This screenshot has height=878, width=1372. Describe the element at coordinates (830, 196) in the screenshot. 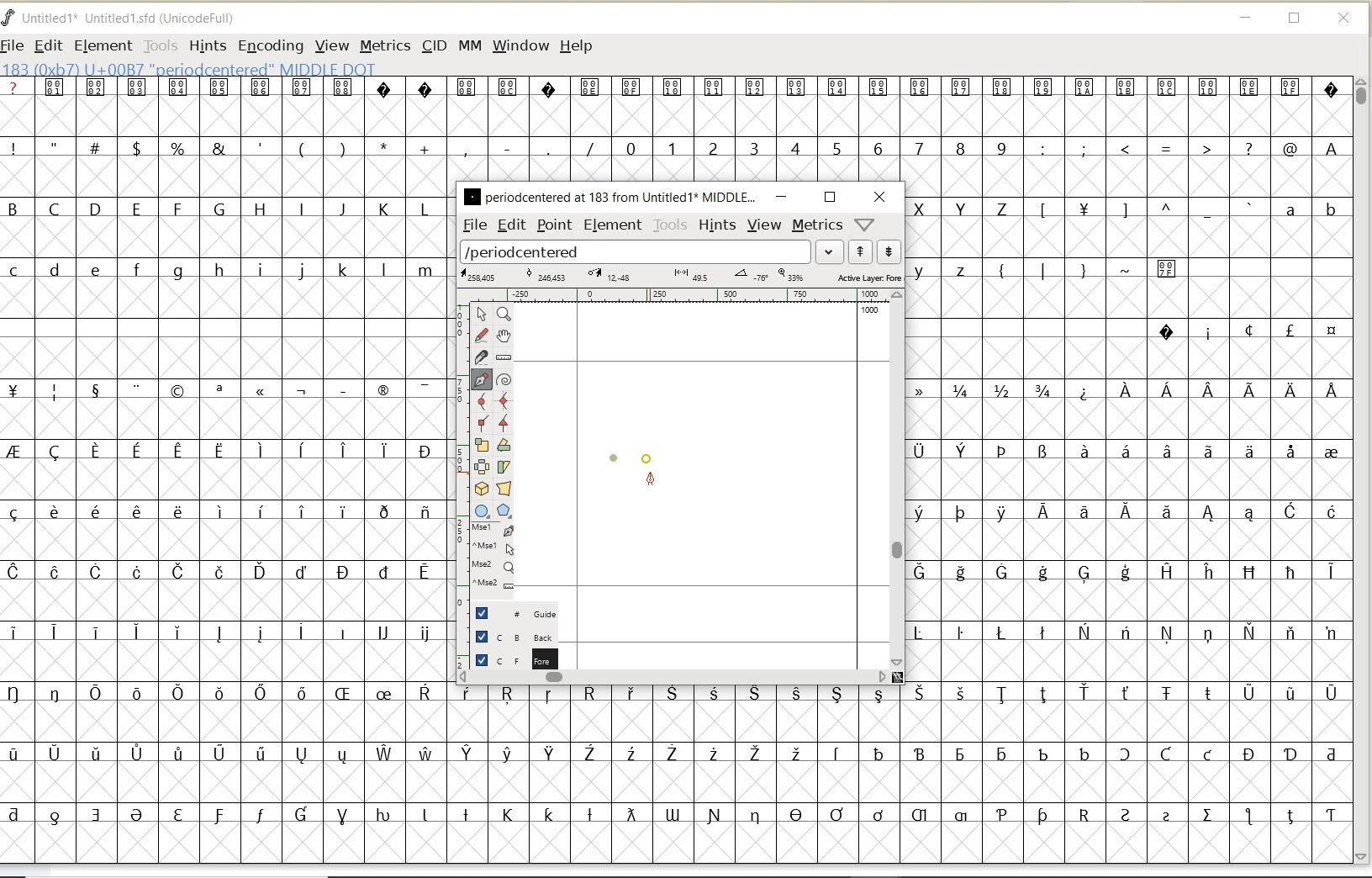

I see `restore` at that location.